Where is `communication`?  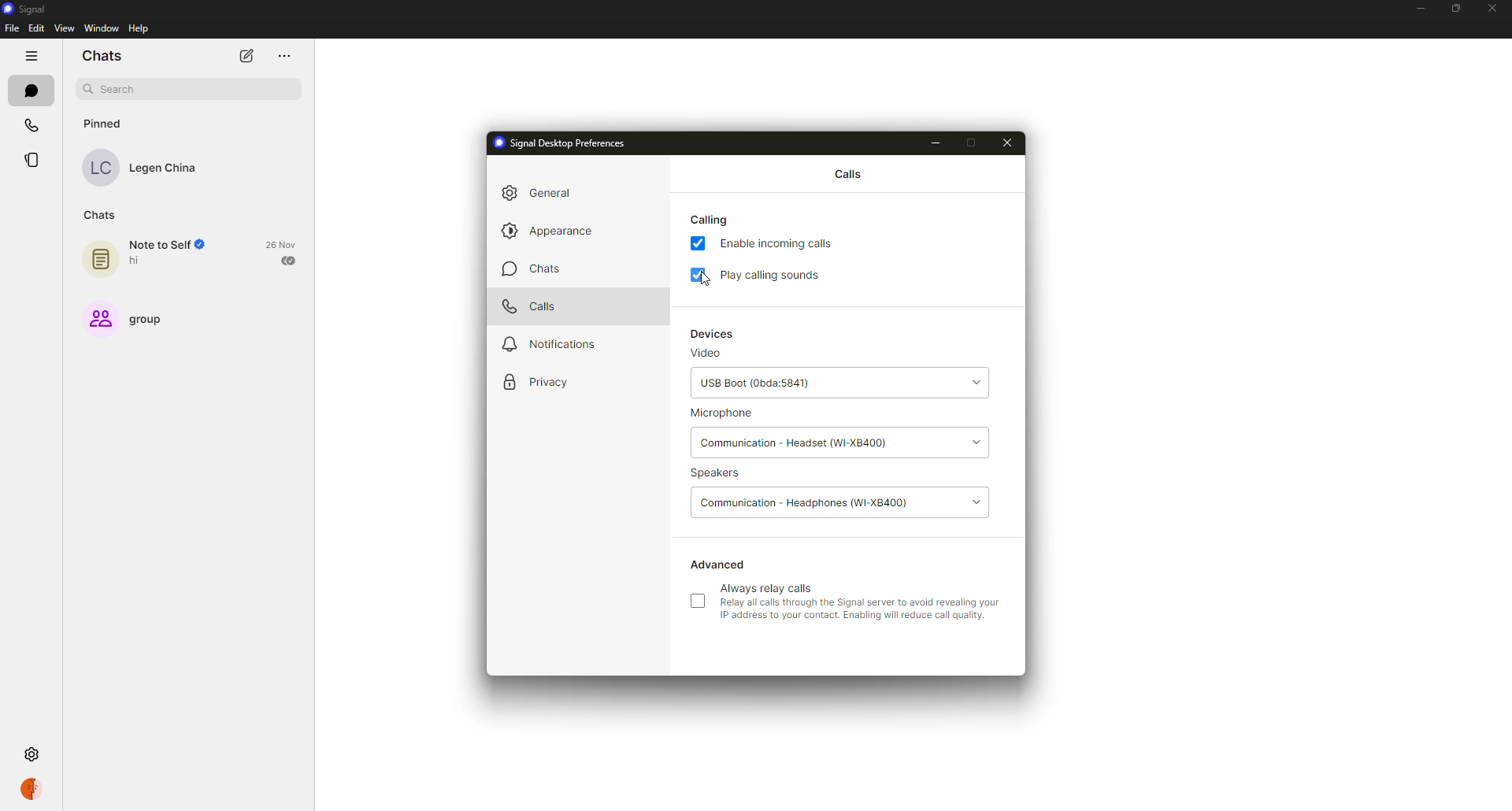
communication is located at coordinates (811, 502).